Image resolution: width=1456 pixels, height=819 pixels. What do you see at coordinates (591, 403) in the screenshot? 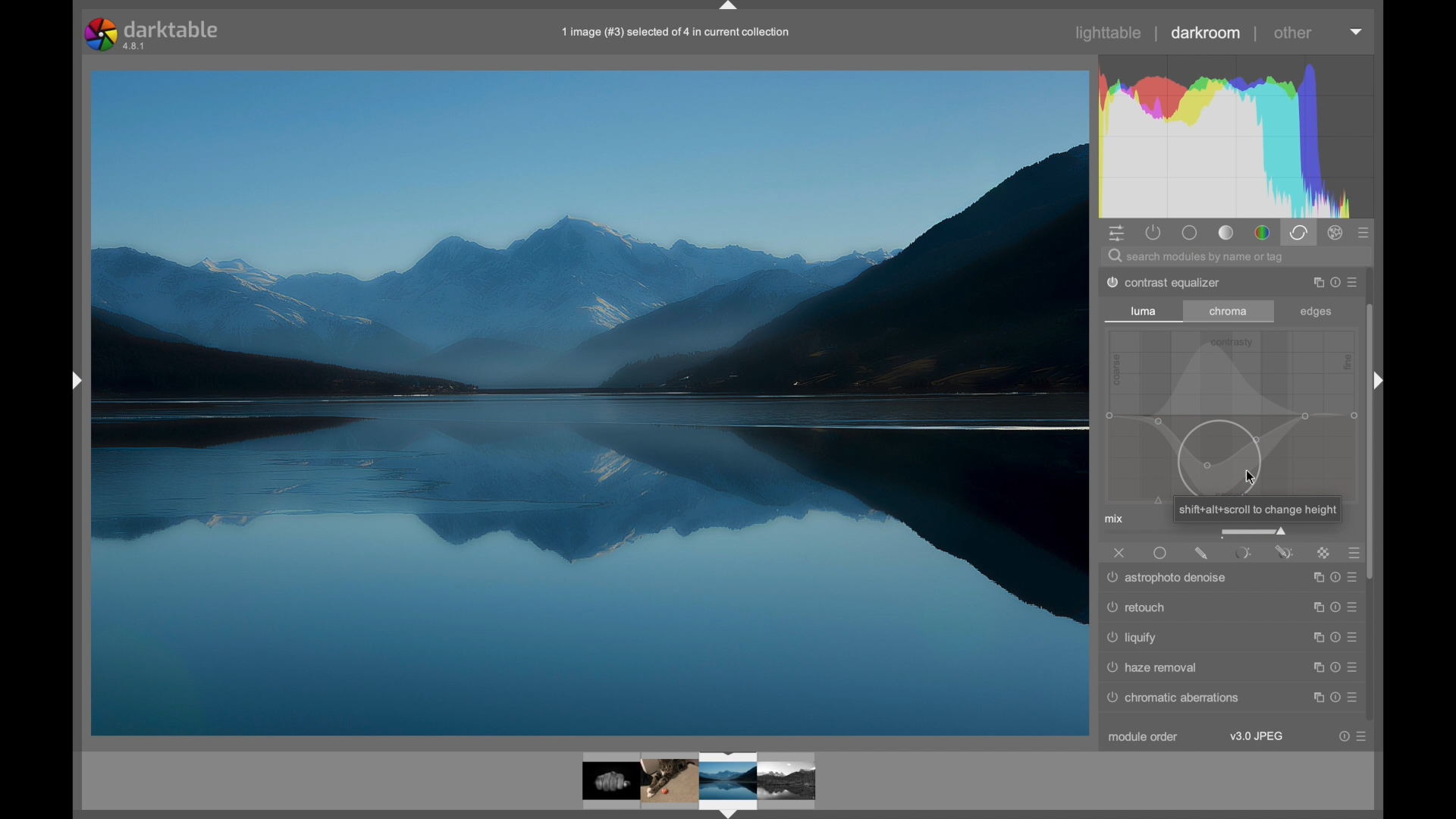
I see `photo ` at bounding box center [591, 403].